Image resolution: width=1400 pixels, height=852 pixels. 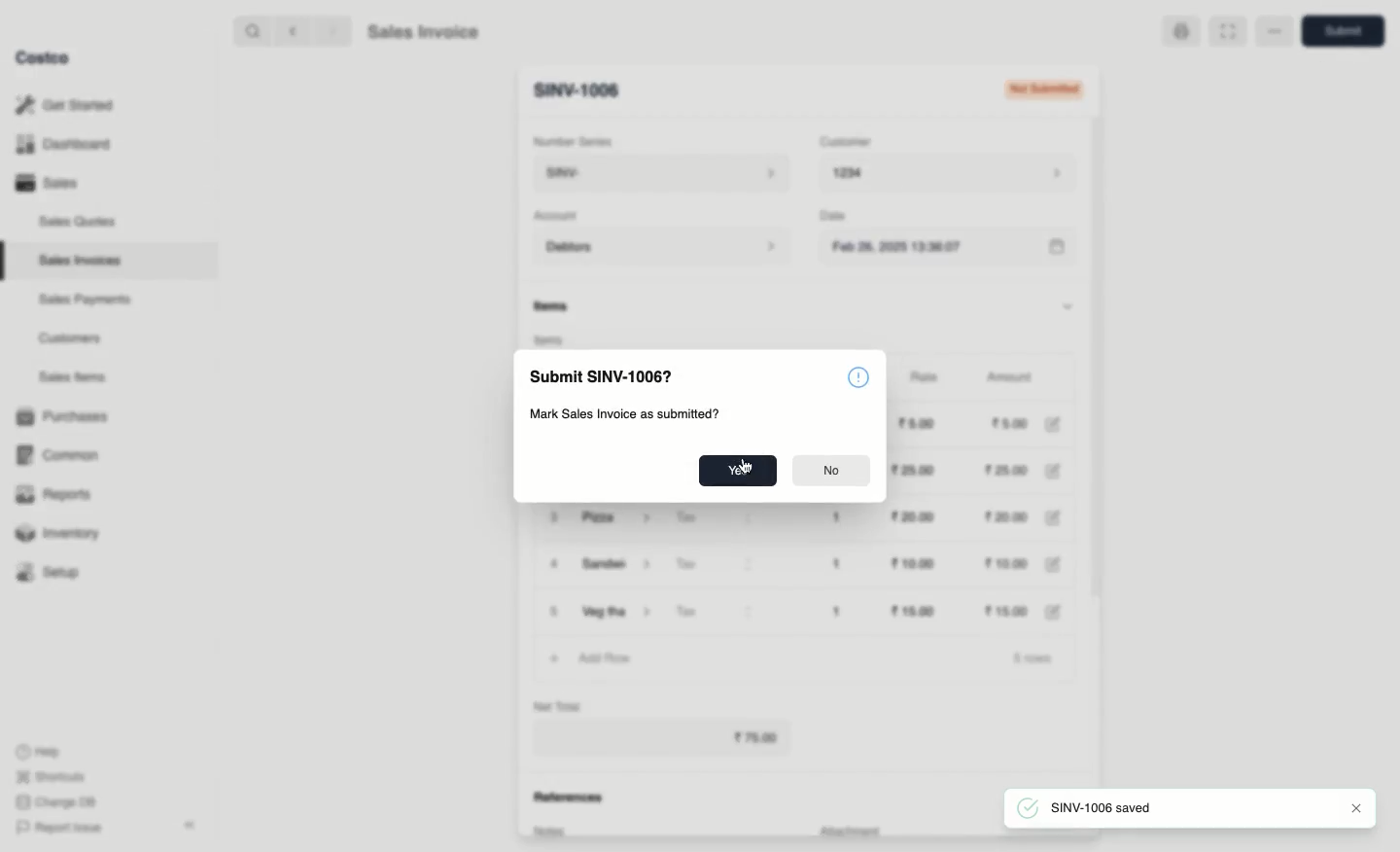 I want to click on Costco, so click(x=48, y=58).